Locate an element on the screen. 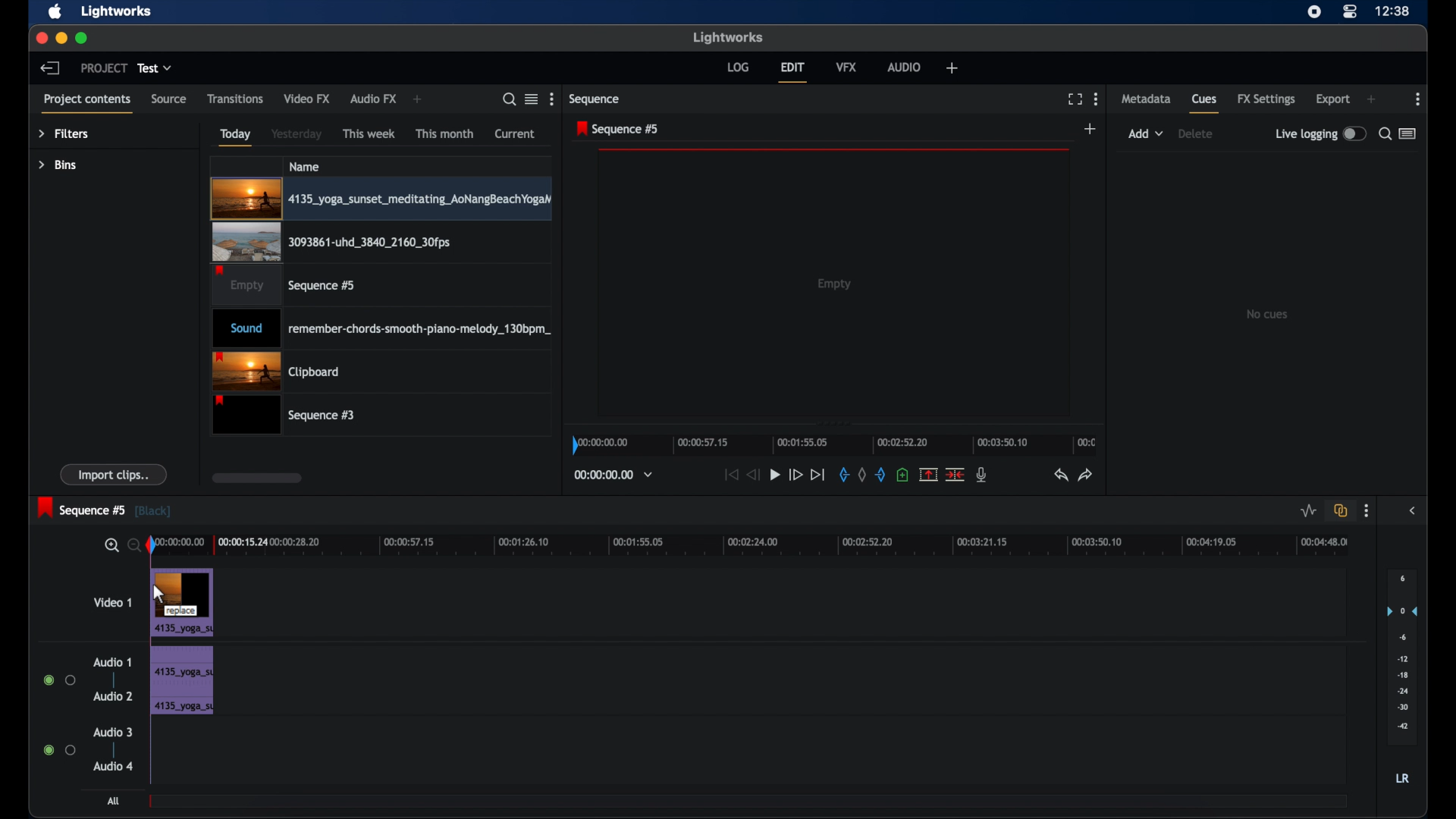 This screenshot has width=1456, height=819. this month is located at coordinates (444, 133).